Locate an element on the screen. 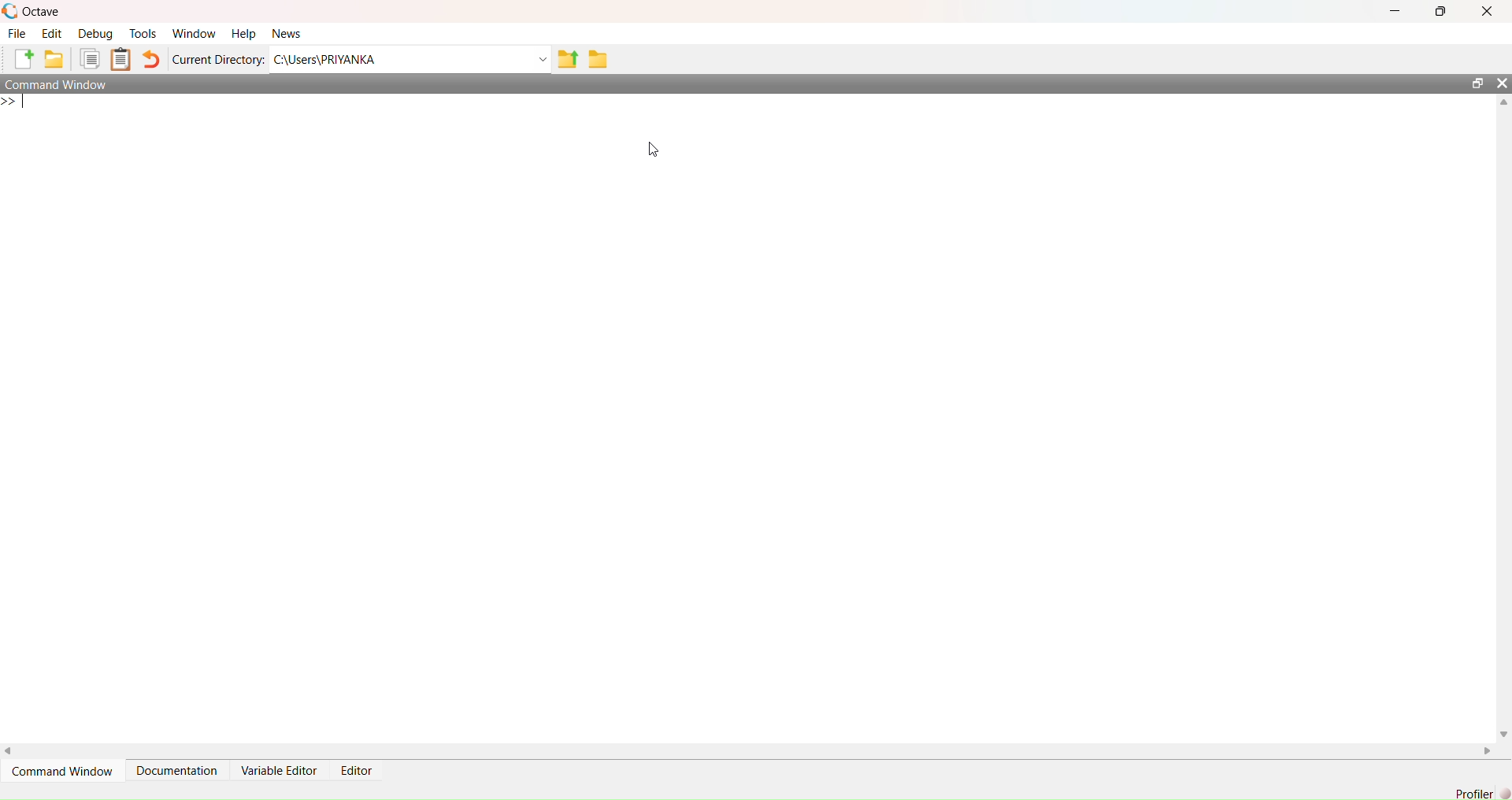 This screenshot has width=1512, height=800. Debug is located at coordinates (95, 33).